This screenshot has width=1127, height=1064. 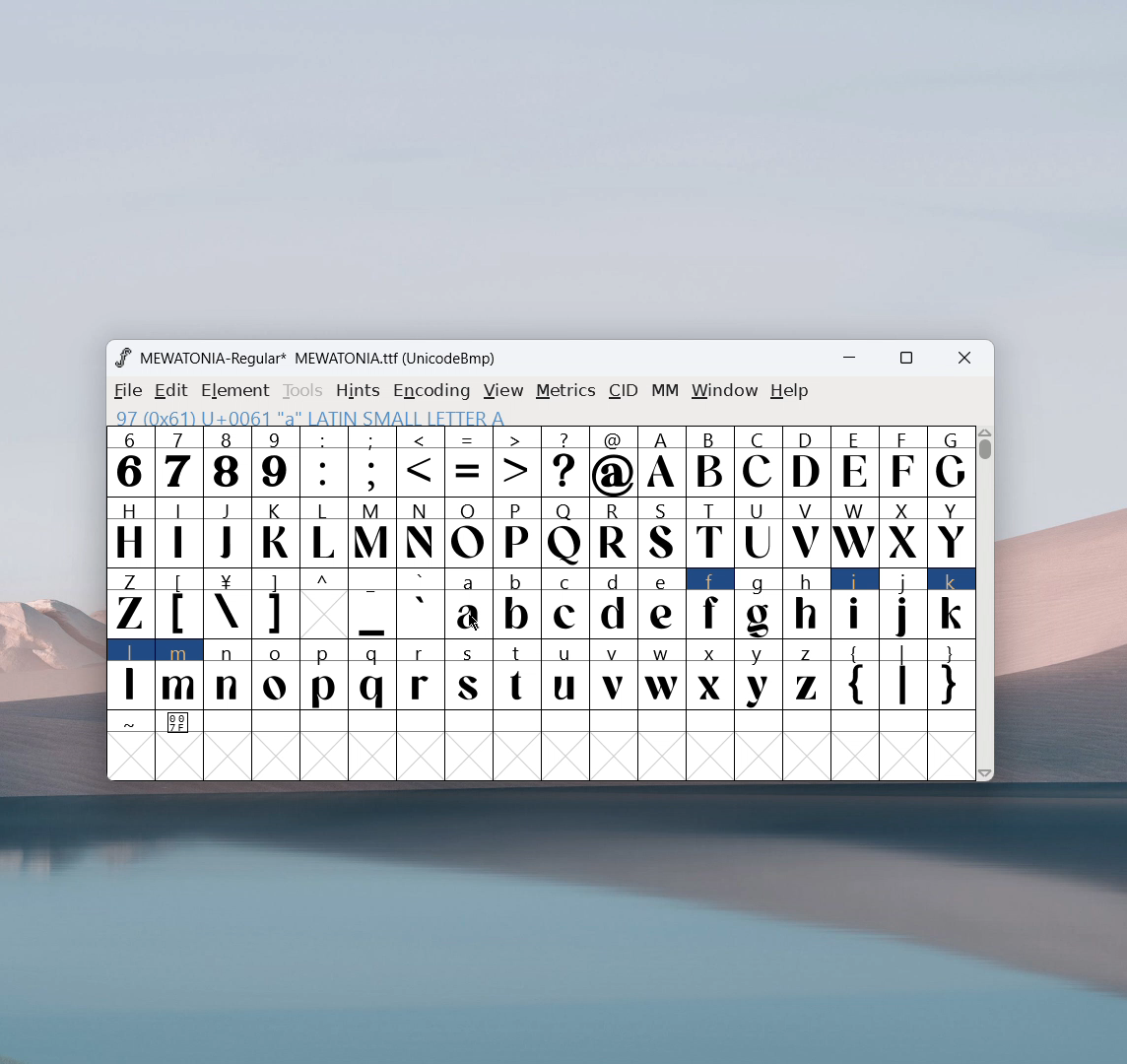 What do you see at coordinates (964, 359) in the screenshot?
I see `close` at bounding box center [964, 359].